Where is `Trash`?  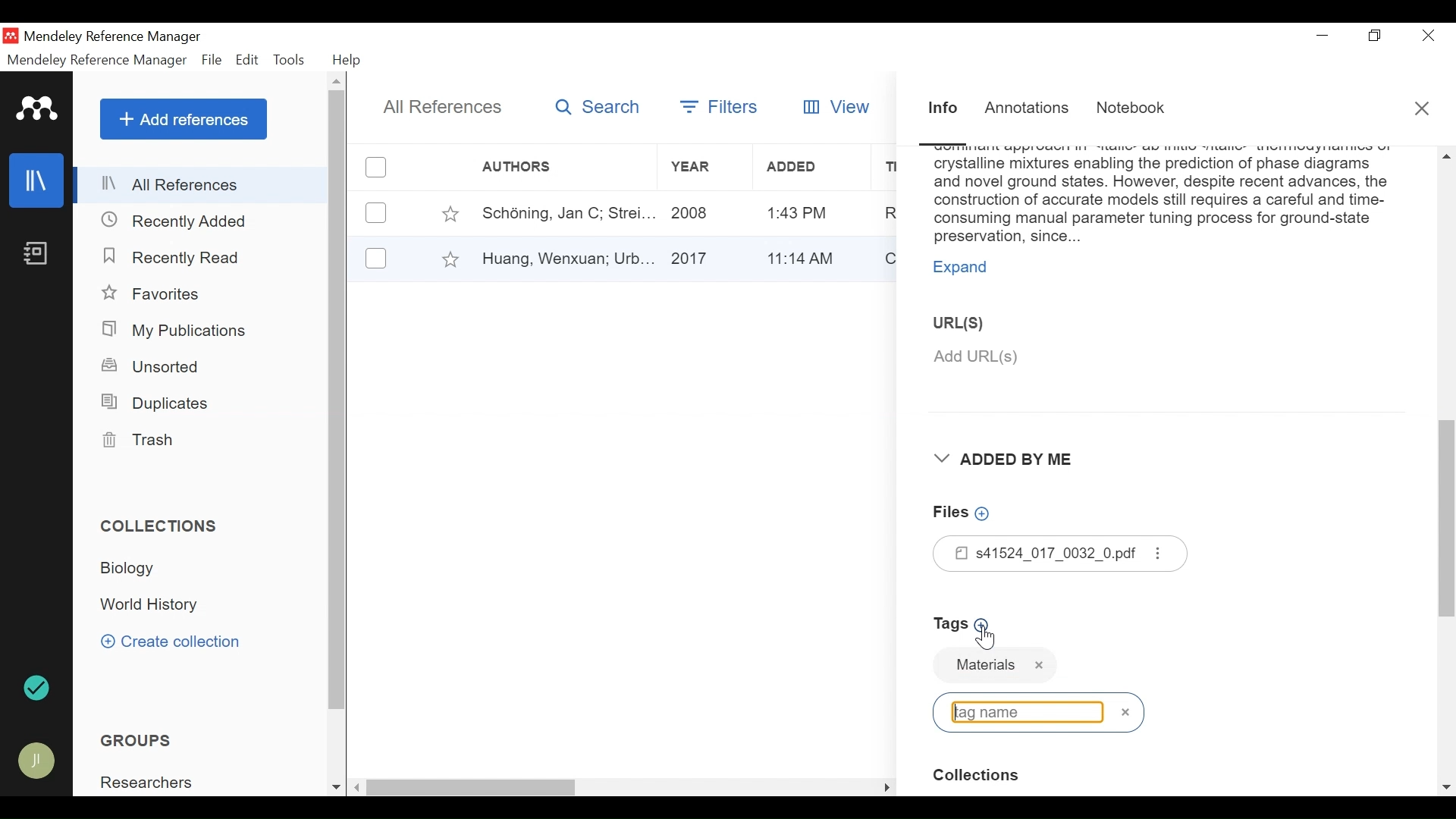 Trash is located at coordinates (136, 440).